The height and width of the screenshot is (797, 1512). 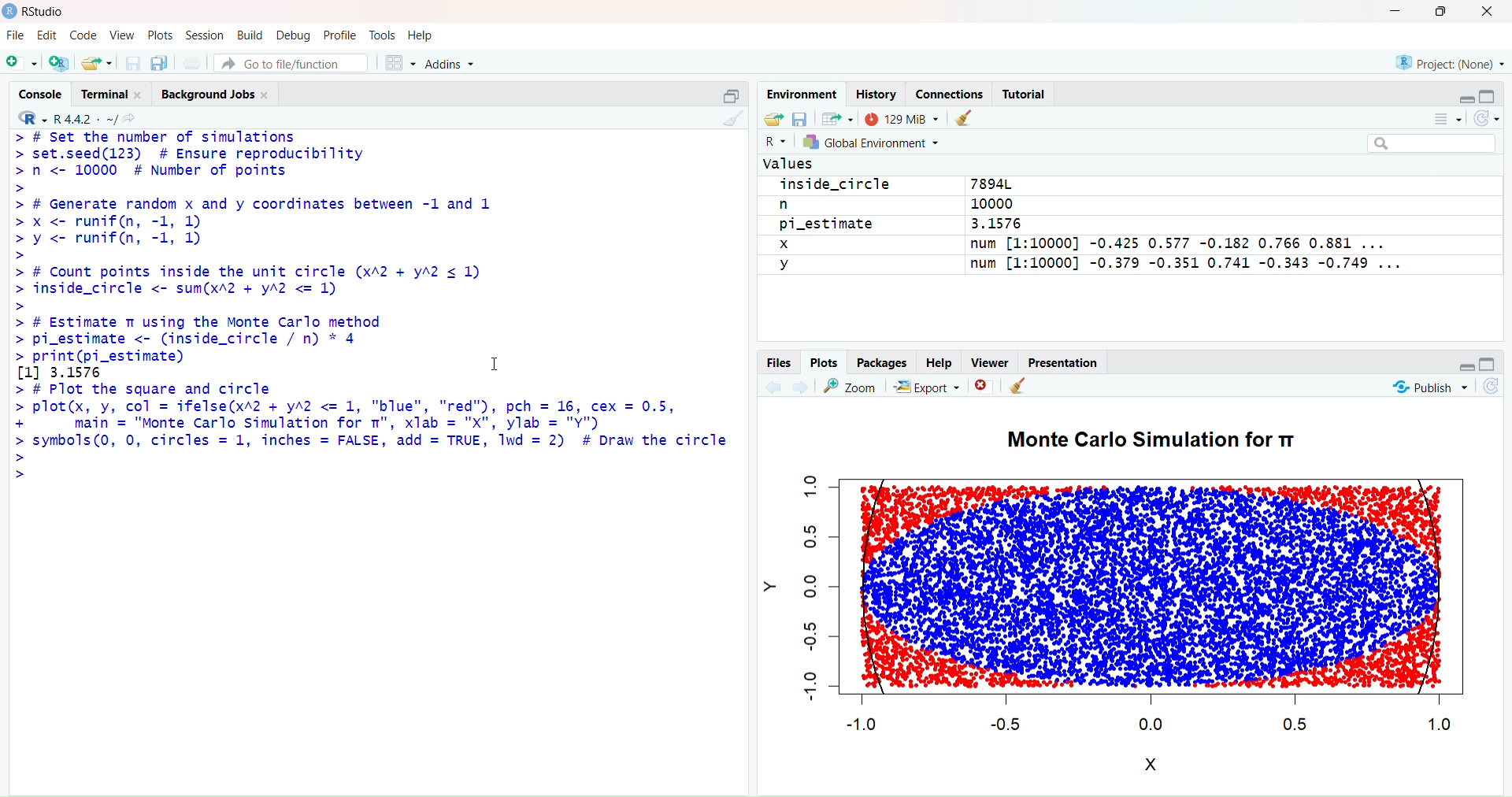 I want to click on Refresh the list of objects in the environment, so click(x=1485, y=124).